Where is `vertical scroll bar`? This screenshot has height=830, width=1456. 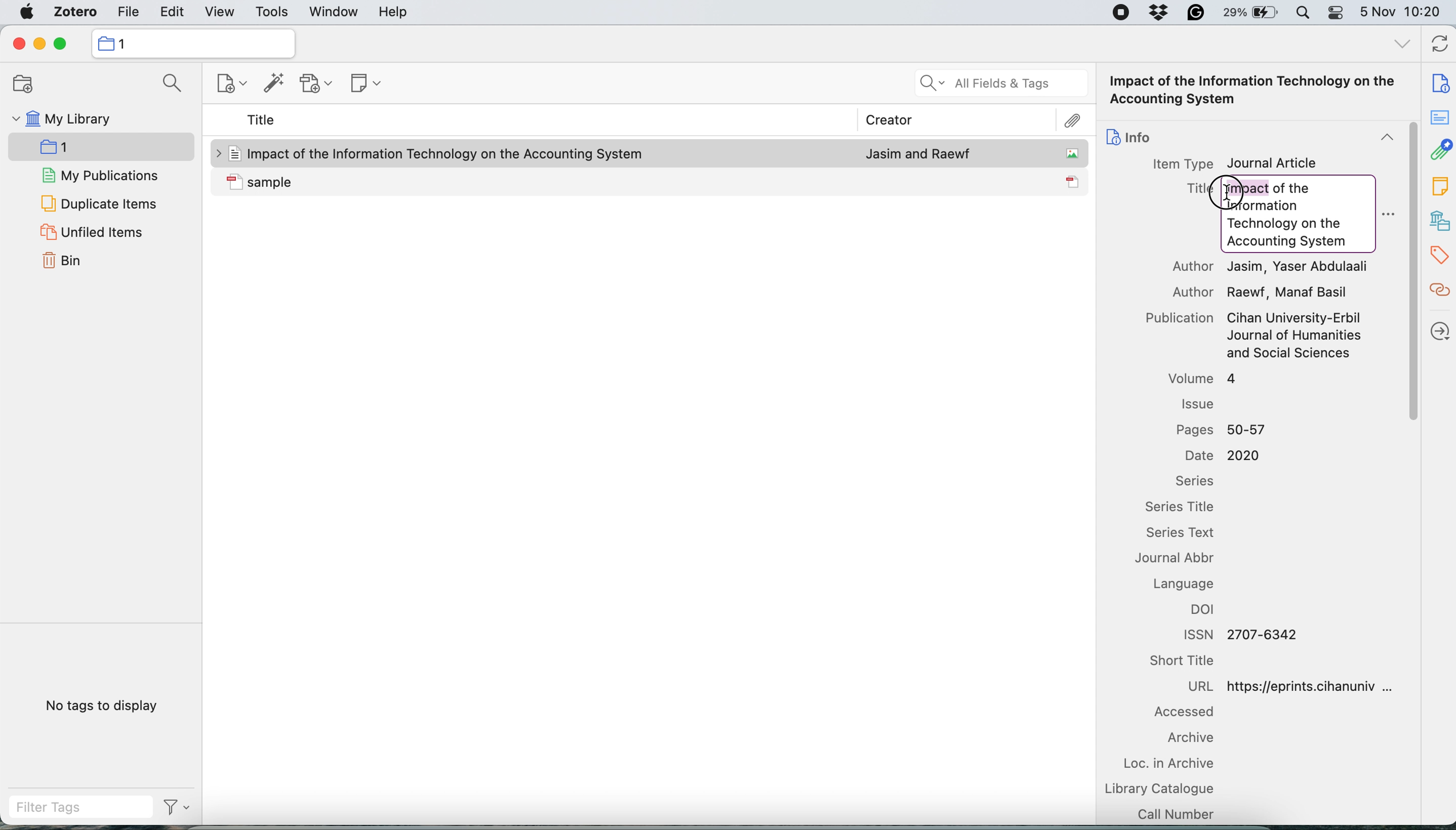
vertical scroll bar is located at coordinates (1410, 272).